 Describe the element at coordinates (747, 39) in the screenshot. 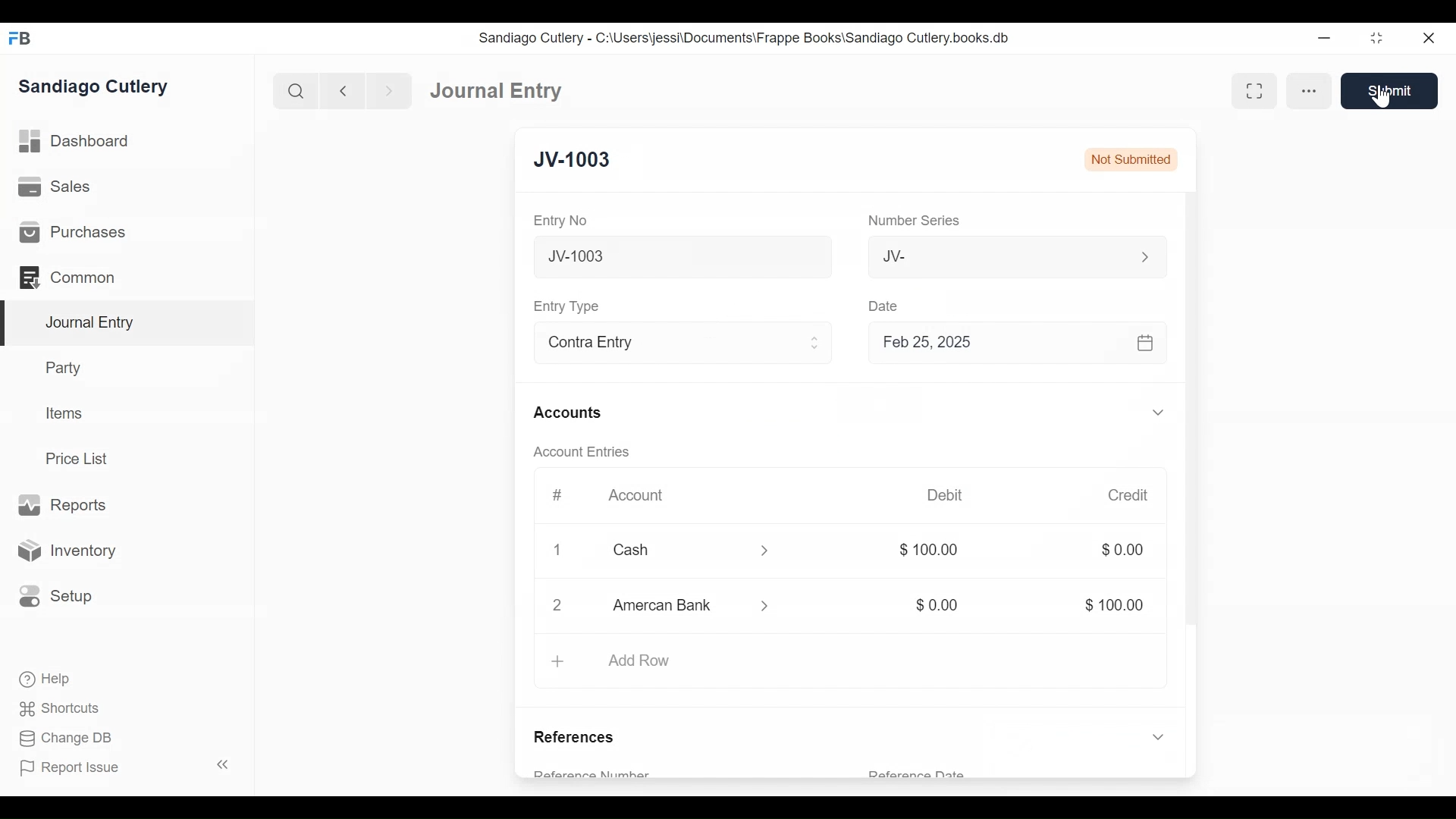

I see `Sandiago Cutlery - C:\Users\jessi\Documents\Frappe Books\Sandiago Cutlery.books.db` at that location.